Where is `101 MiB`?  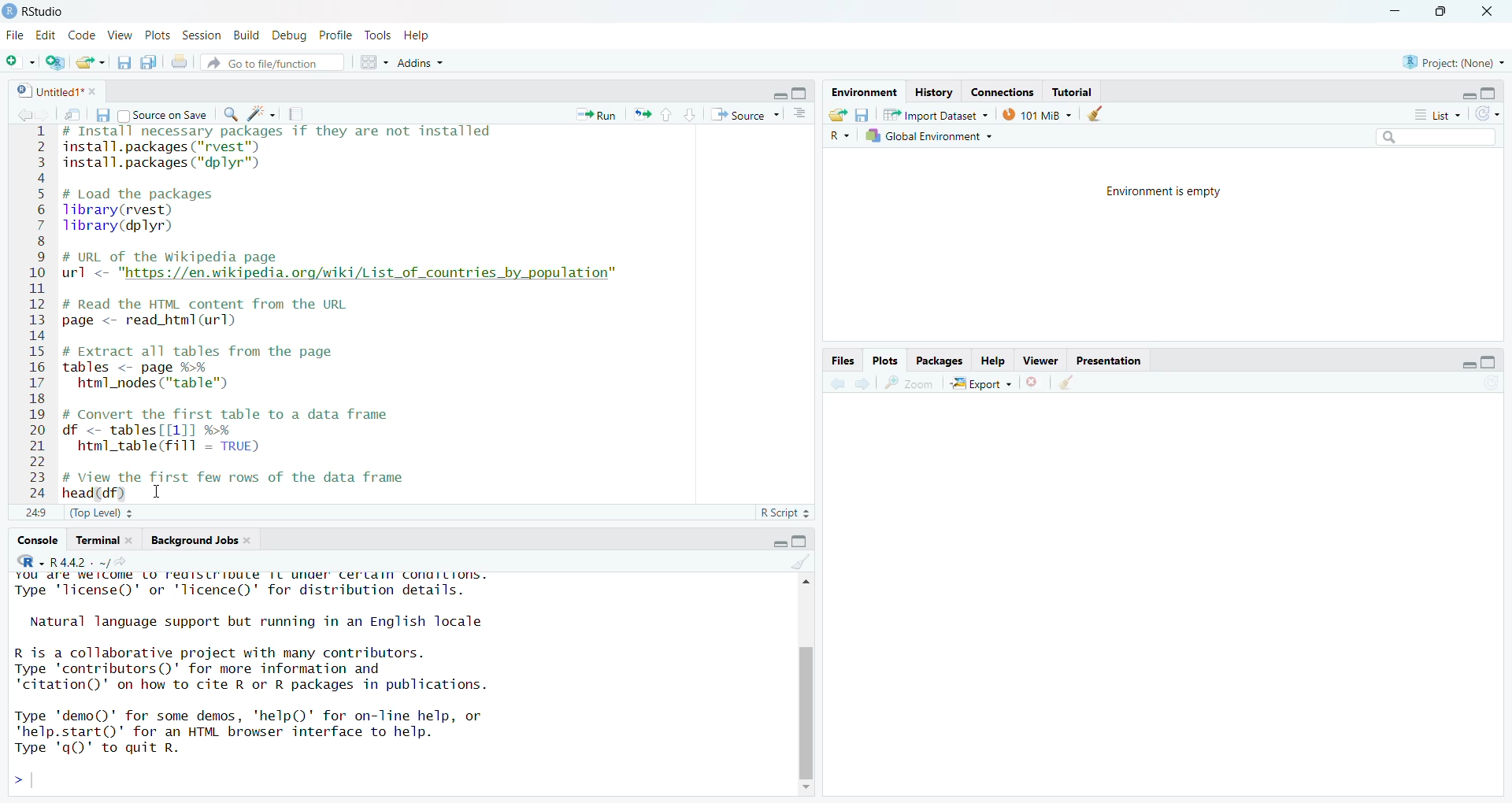 101 MiB is located at coordinates (1035, 113).